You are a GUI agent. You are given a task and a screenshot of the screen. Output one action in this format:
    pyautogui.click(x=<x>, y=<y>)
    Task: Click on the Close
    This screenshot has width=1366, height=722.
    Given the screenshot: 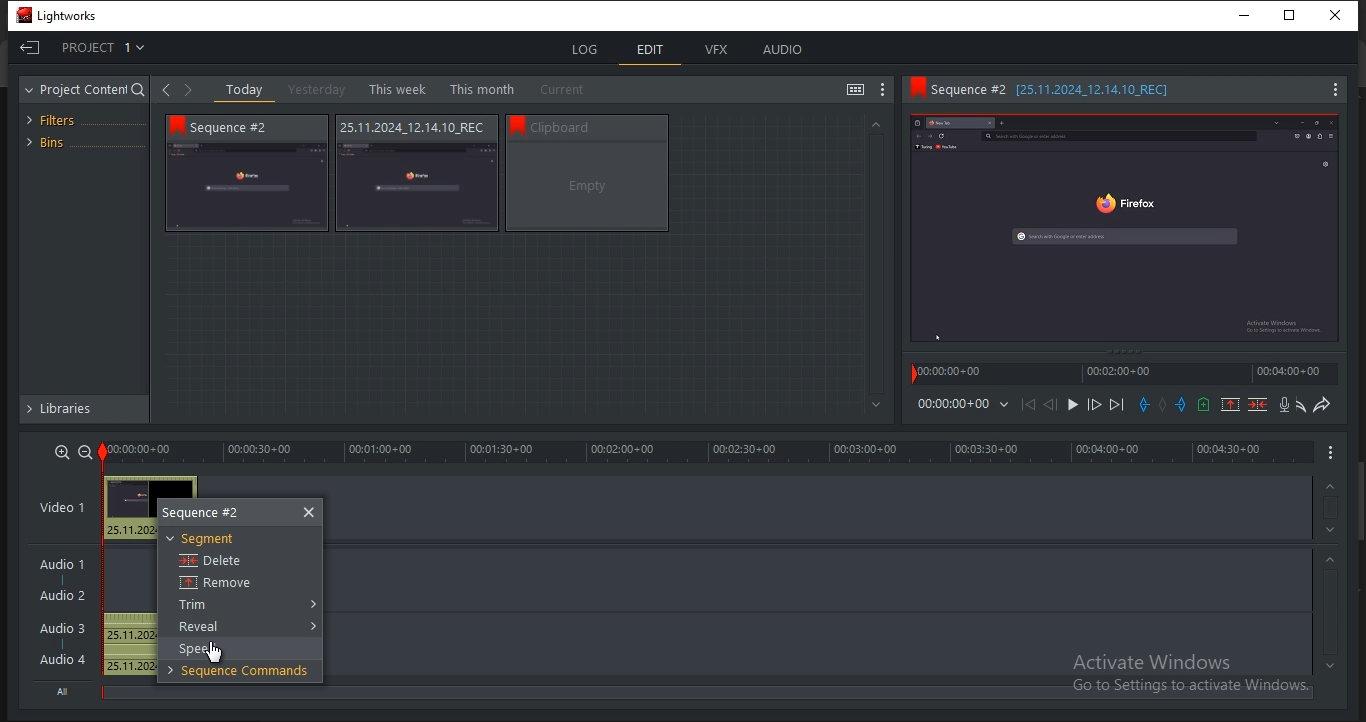 What is the action you would take?
    pyautogui.click(x=1339, y=14)
    